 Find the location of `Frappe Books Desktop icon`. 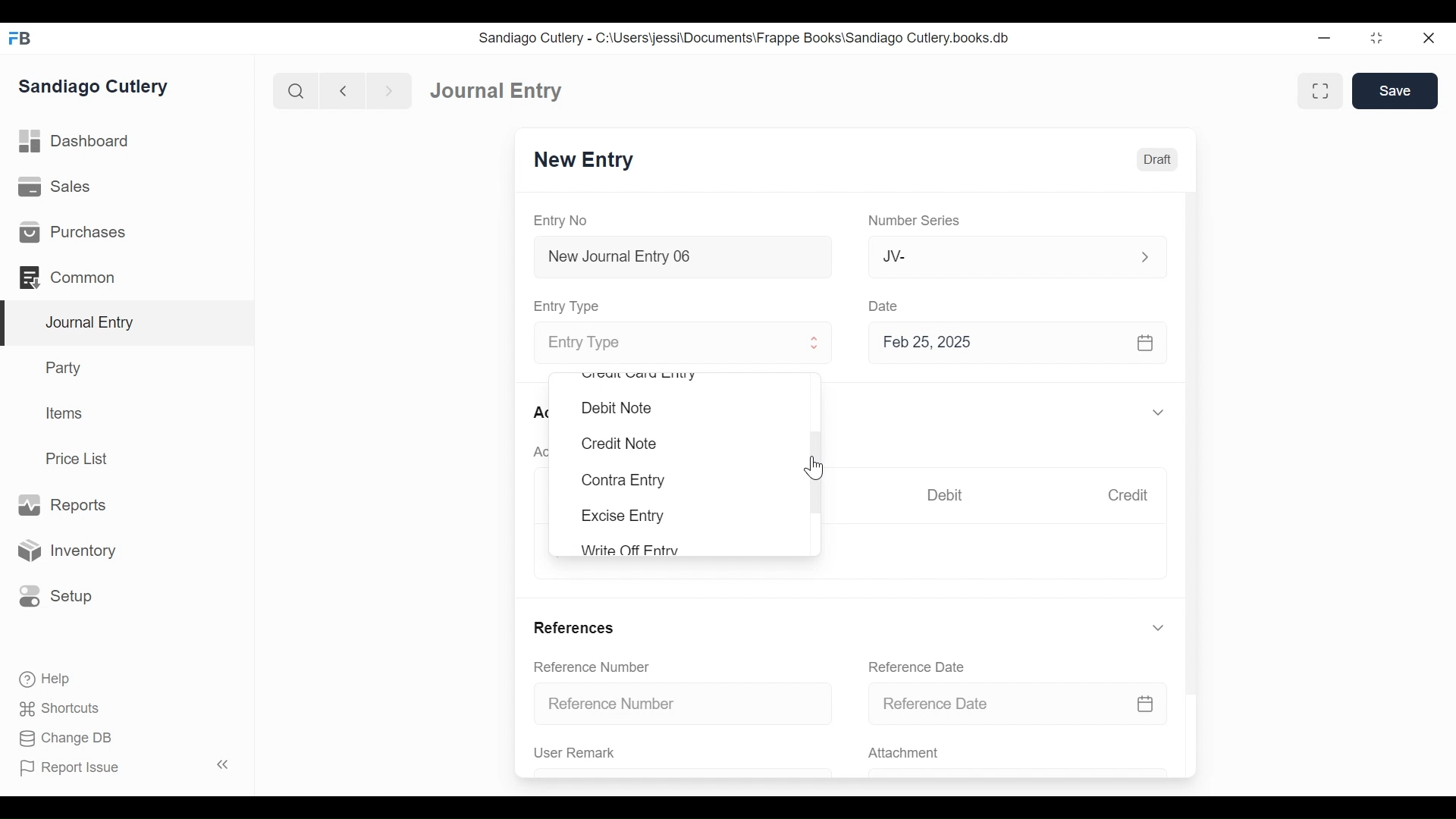

Frappe Books Desktop icon is located at coordinates (21, 39).